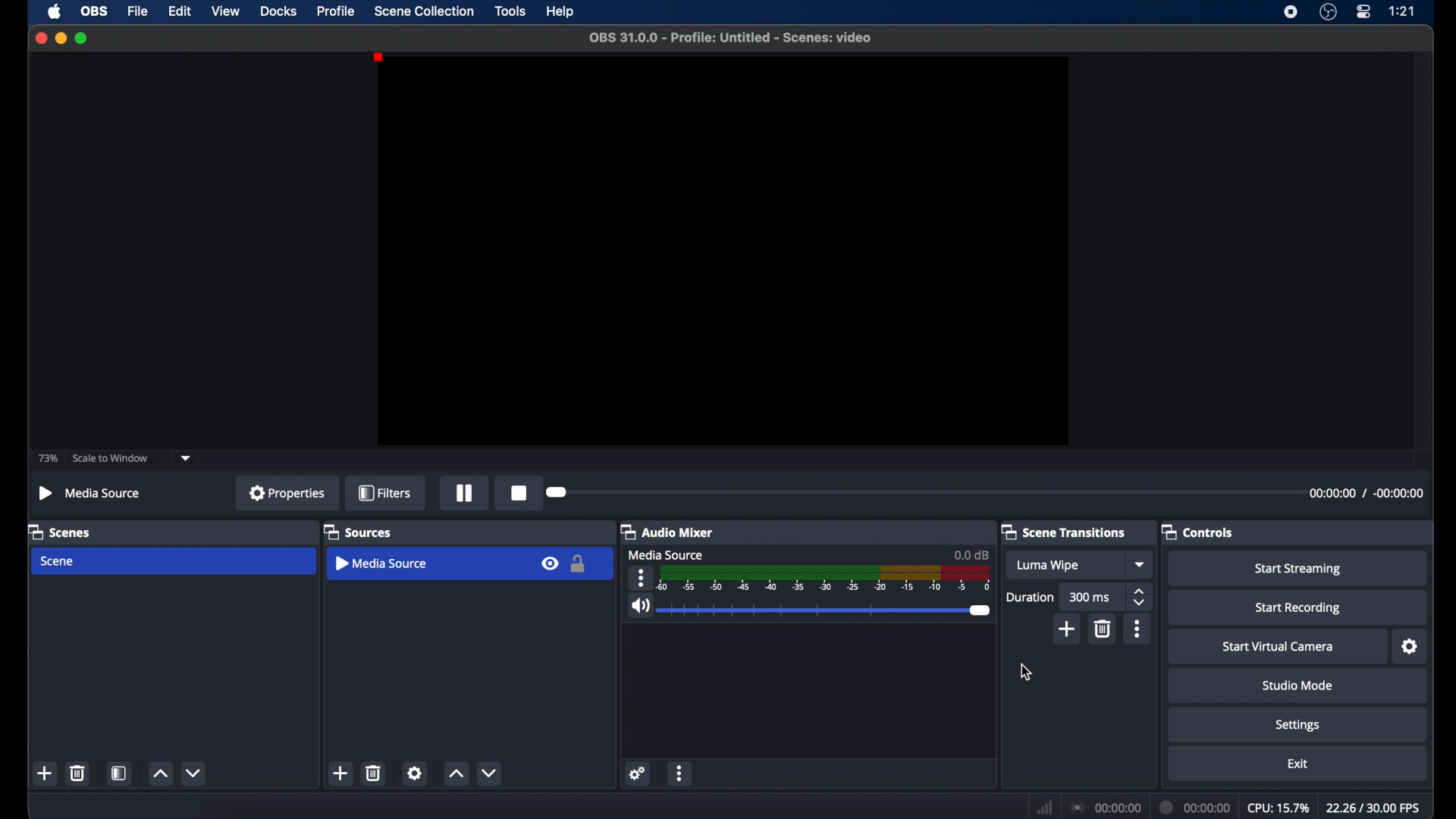 Image resolution: width=1456 pixels, height=819 pixels. I want to click on maximize, so click(82, 38).